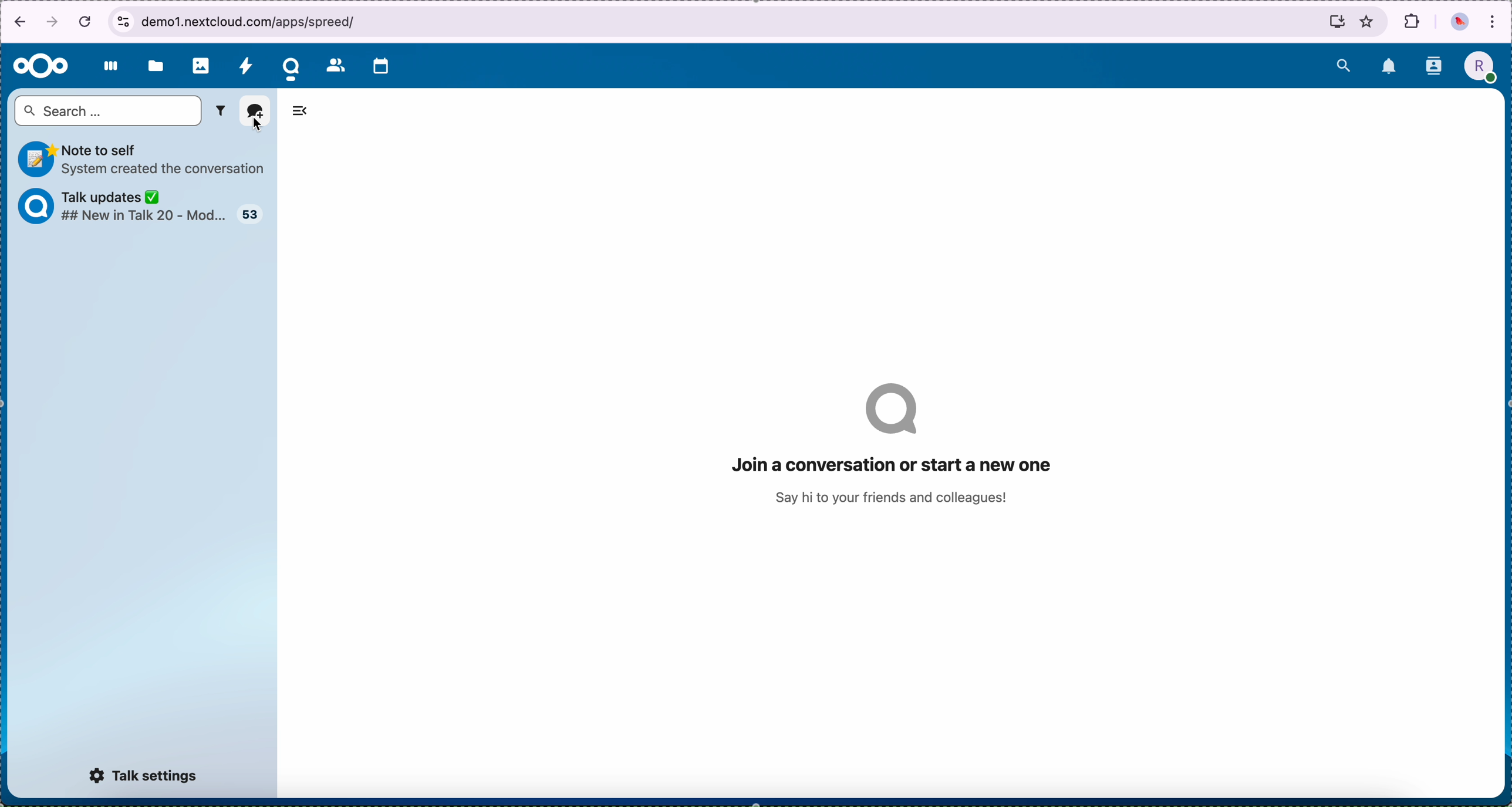  Describe the element at coordinates (110, 67) in the screenshot. I see `dashboard` at that location.